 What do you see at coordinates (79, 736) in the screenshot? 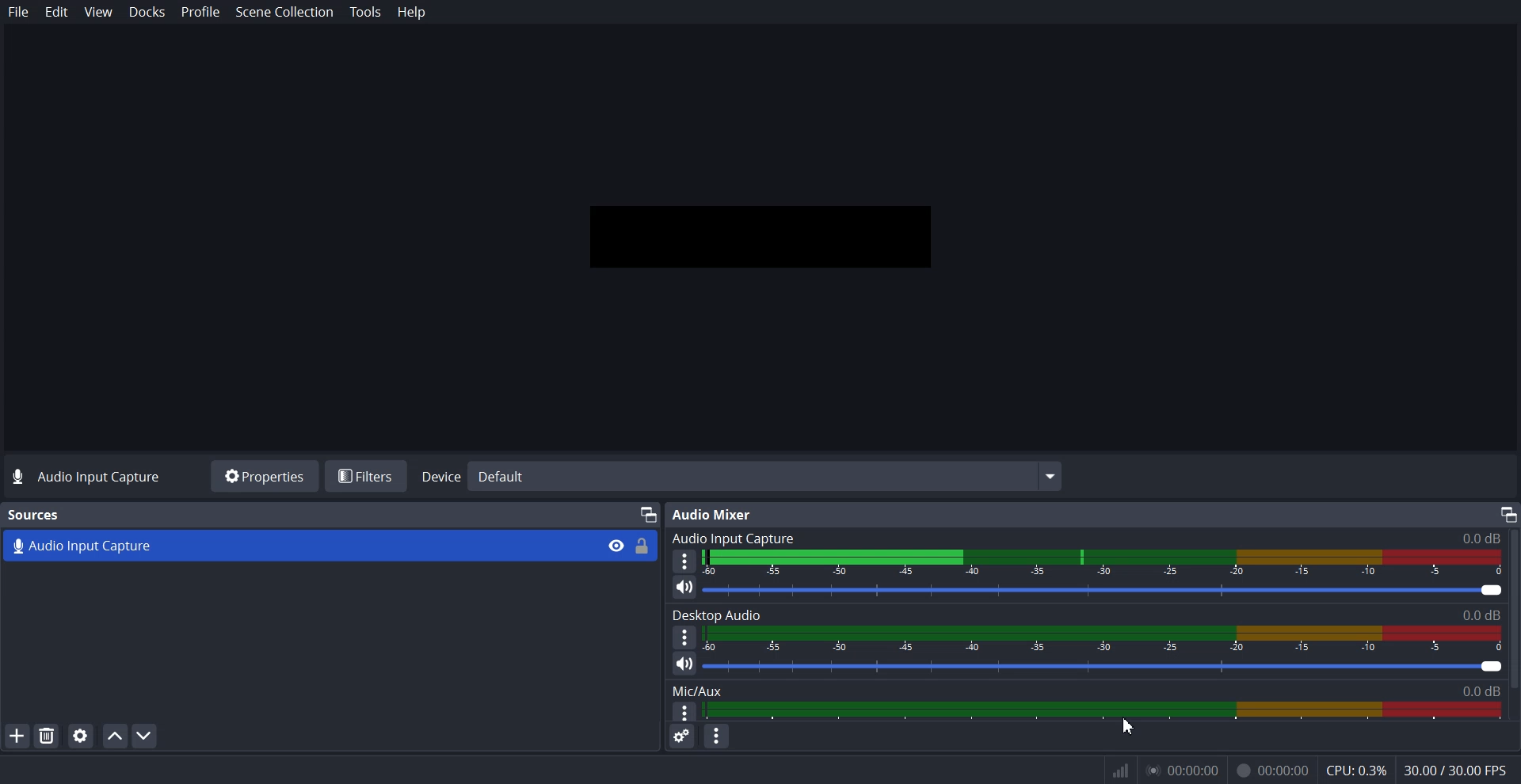
I see `Open source properties` at bounding box center [79, 736].